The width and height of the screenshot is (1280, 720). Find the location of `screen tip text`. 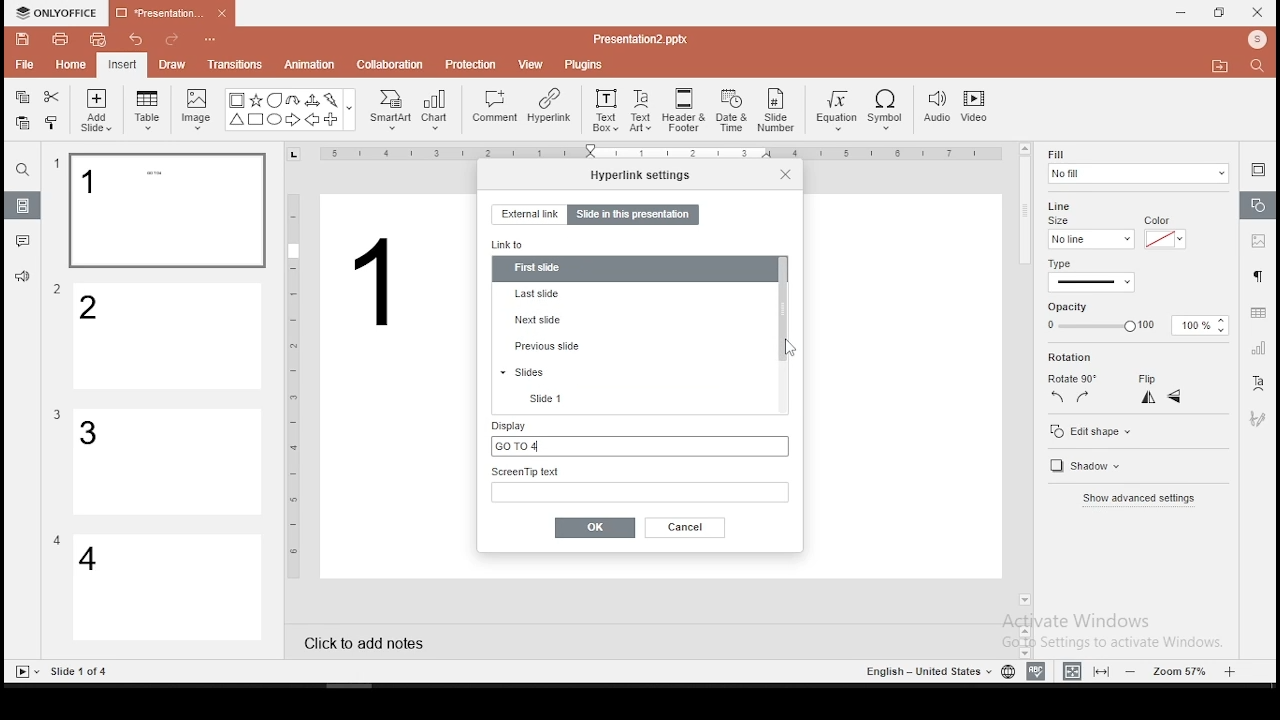

screen tip text is located at coordinates (640, 483).